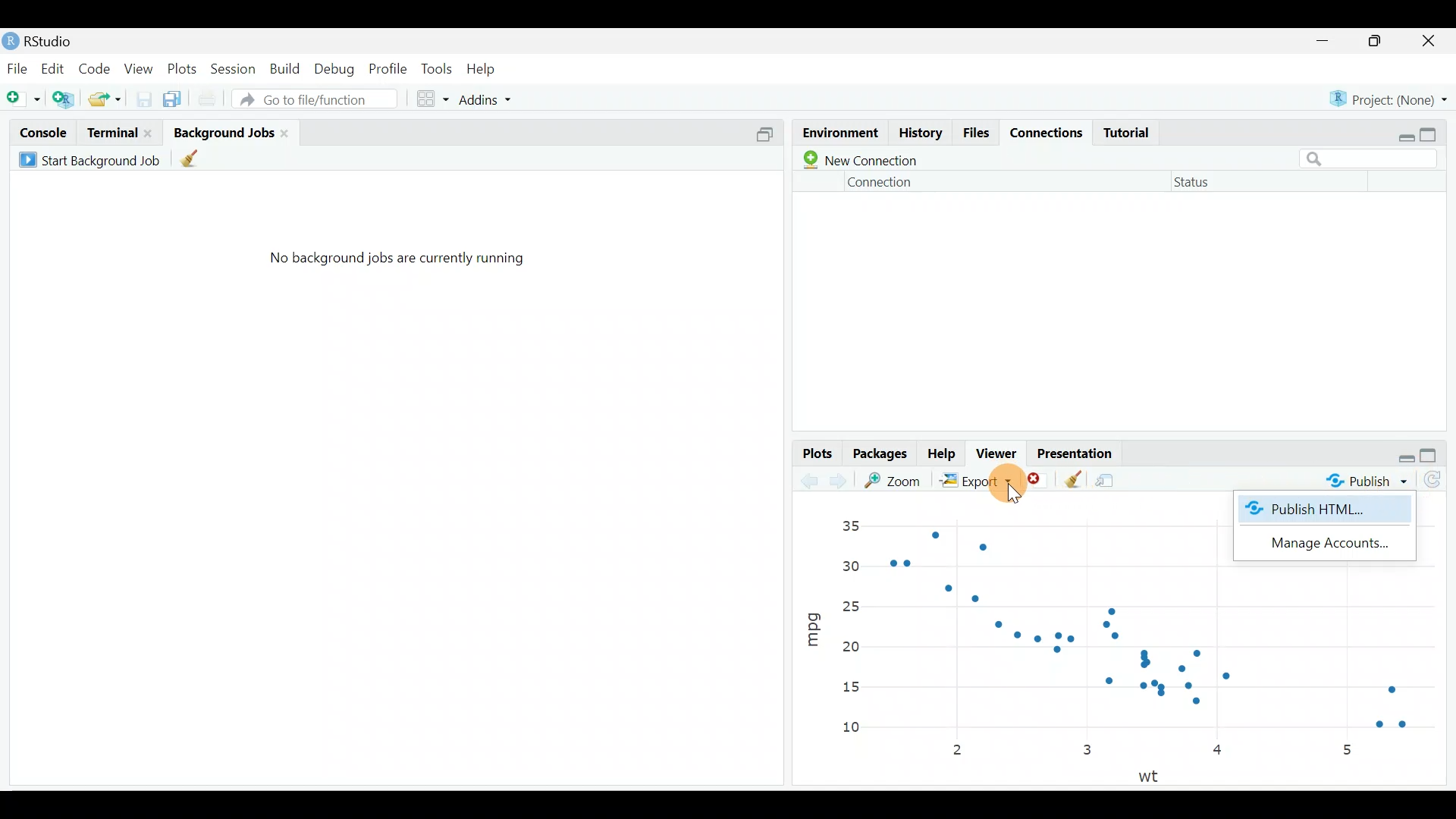 This screenshot has width=1456, height=819. Describe the element at coordinates (849, 688) in the screenshot. I see `15` at that location.